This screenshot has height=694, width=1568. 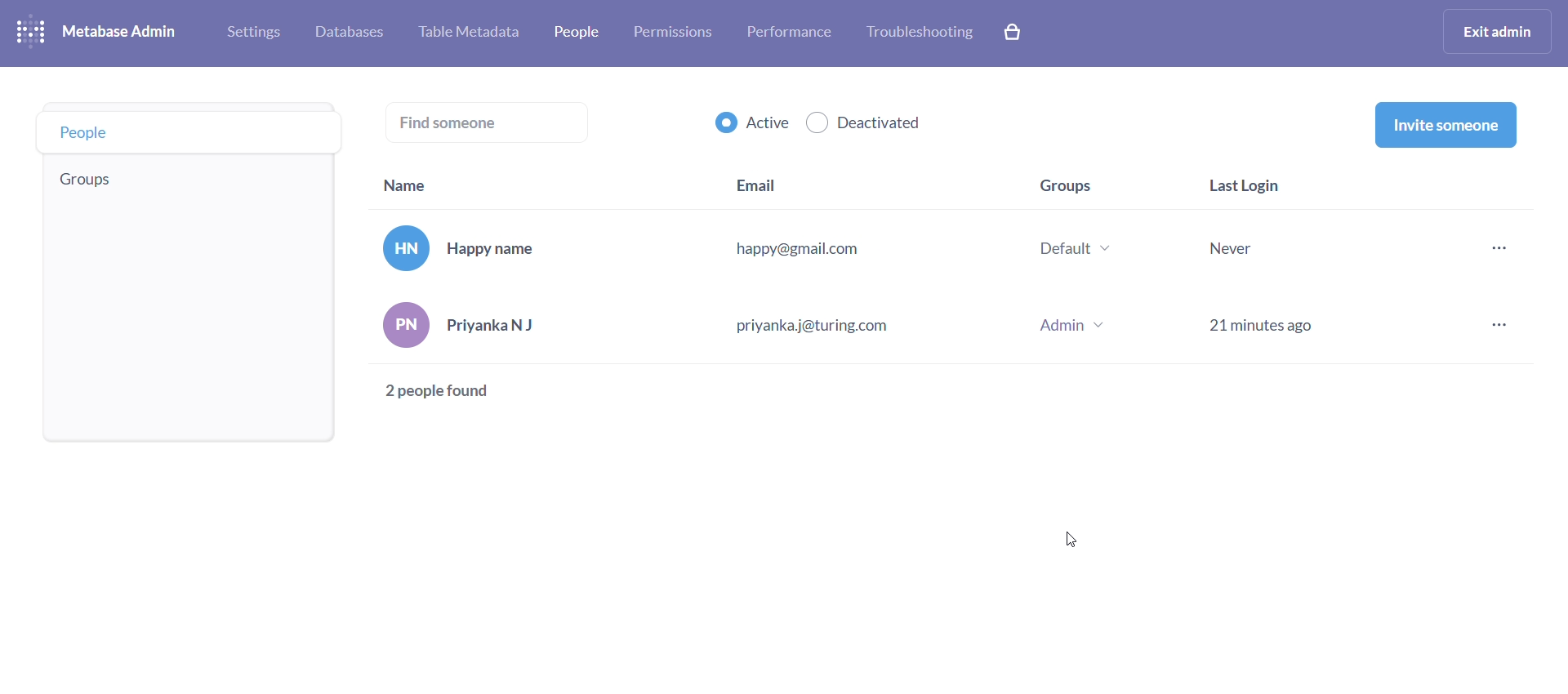 I want to click on troubleshooting, so click(x=918, y=33).